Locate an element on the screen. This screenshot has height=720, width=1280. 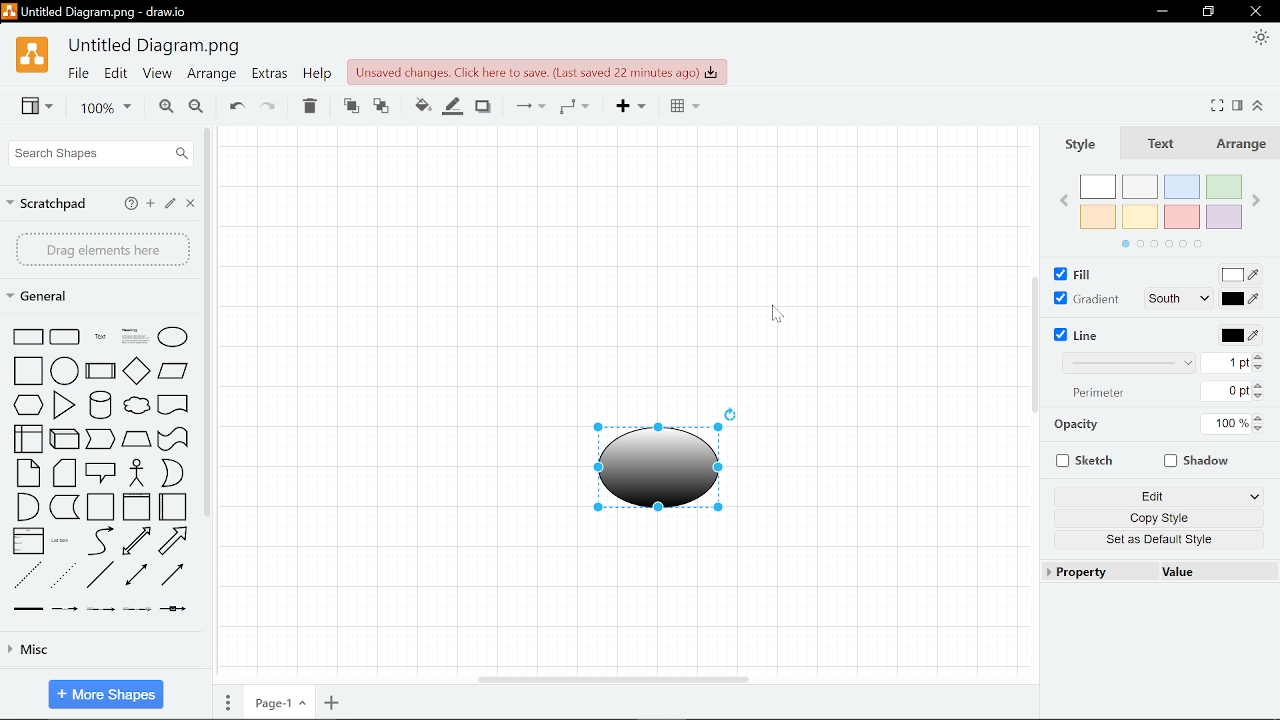
Delete is located at coordinates (307, 105).